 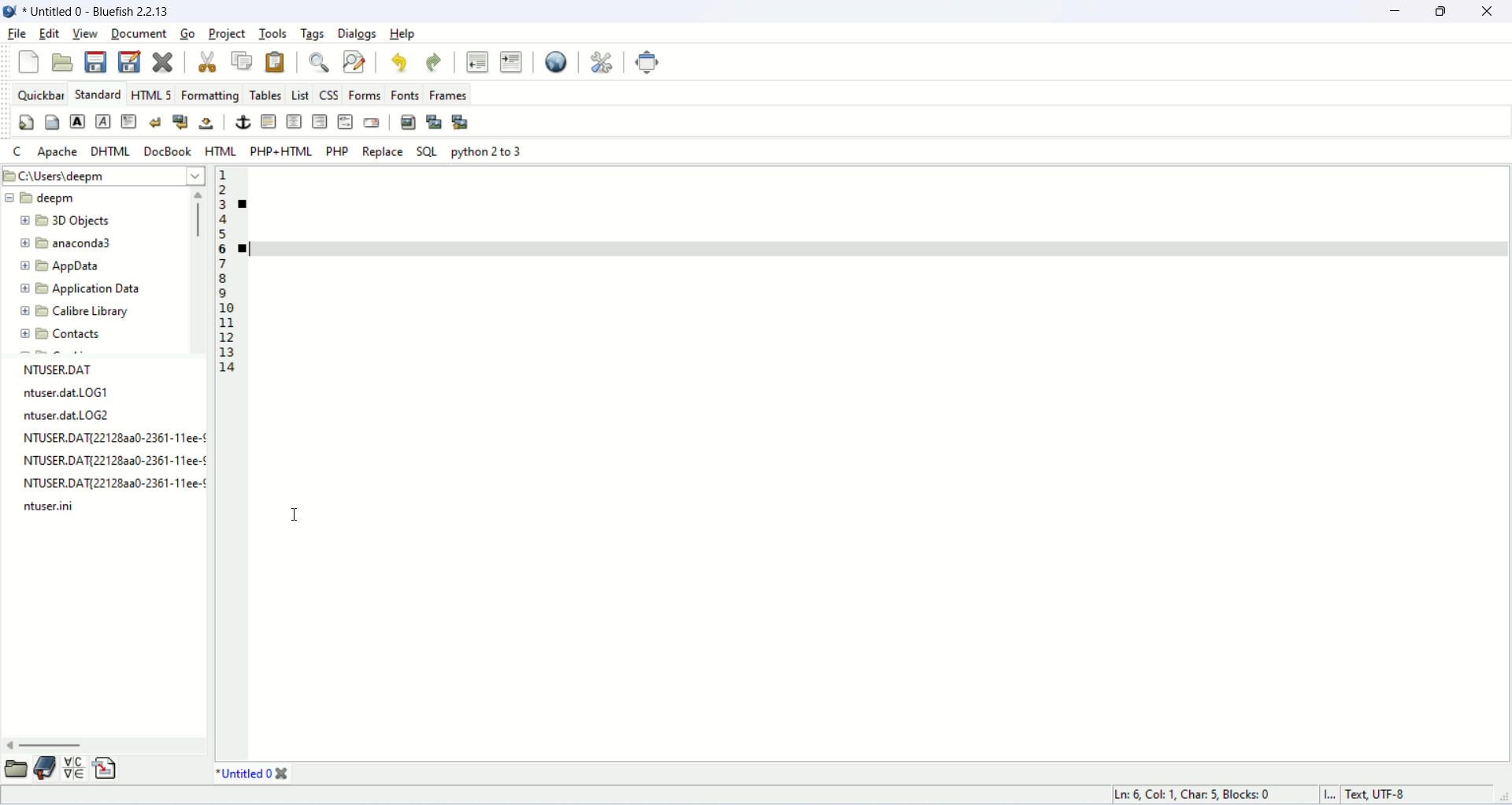 What do you see at coordinates (405, 95) in the screenshot?
I see `fonts` at bounding box center [405, 95].